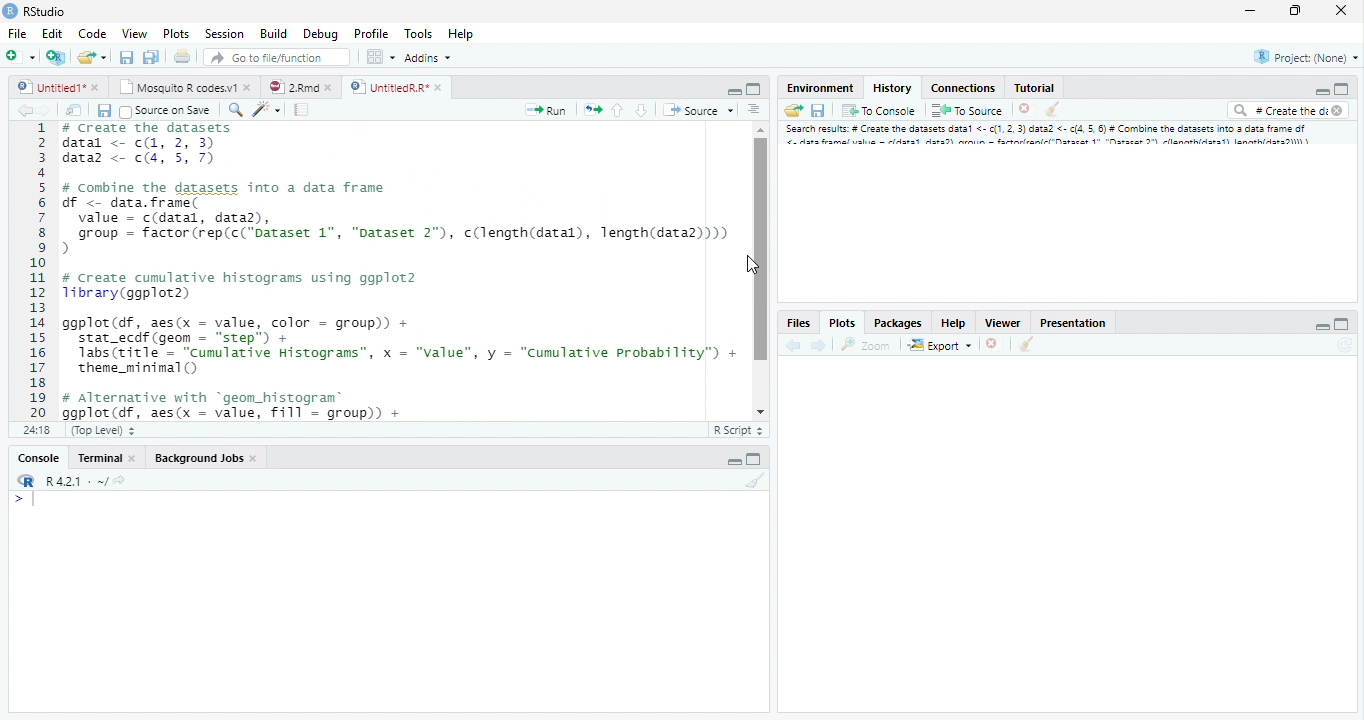  I want to click on Plots, so click(841, 322).